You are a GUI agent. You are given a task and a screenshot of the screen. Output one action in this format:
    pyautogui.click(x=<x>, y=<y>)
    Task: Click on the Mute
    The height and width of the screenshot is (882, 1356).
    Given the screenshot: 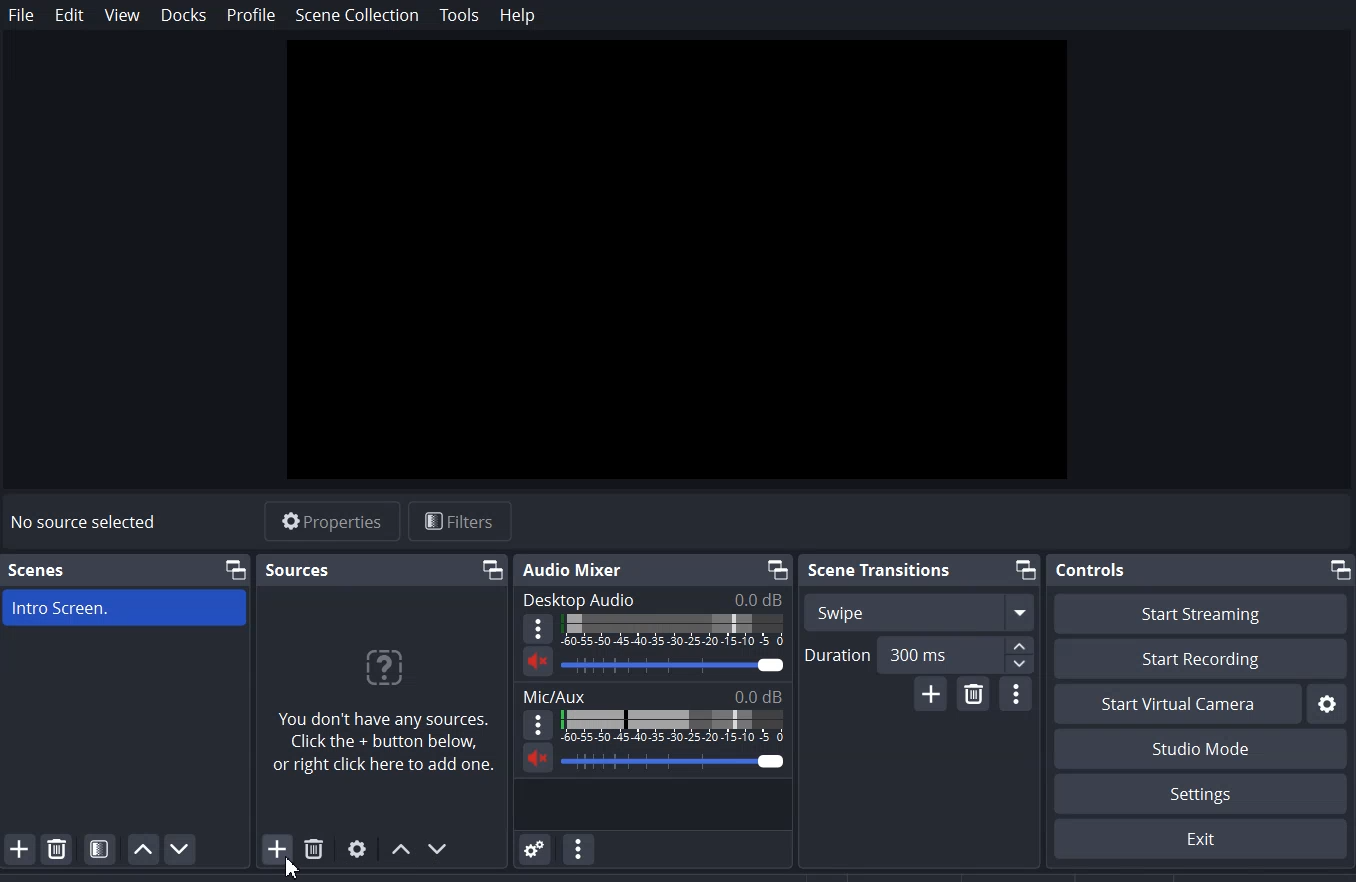 What is the action you would take?
    pyautogui.click(x=536, y=661)
    